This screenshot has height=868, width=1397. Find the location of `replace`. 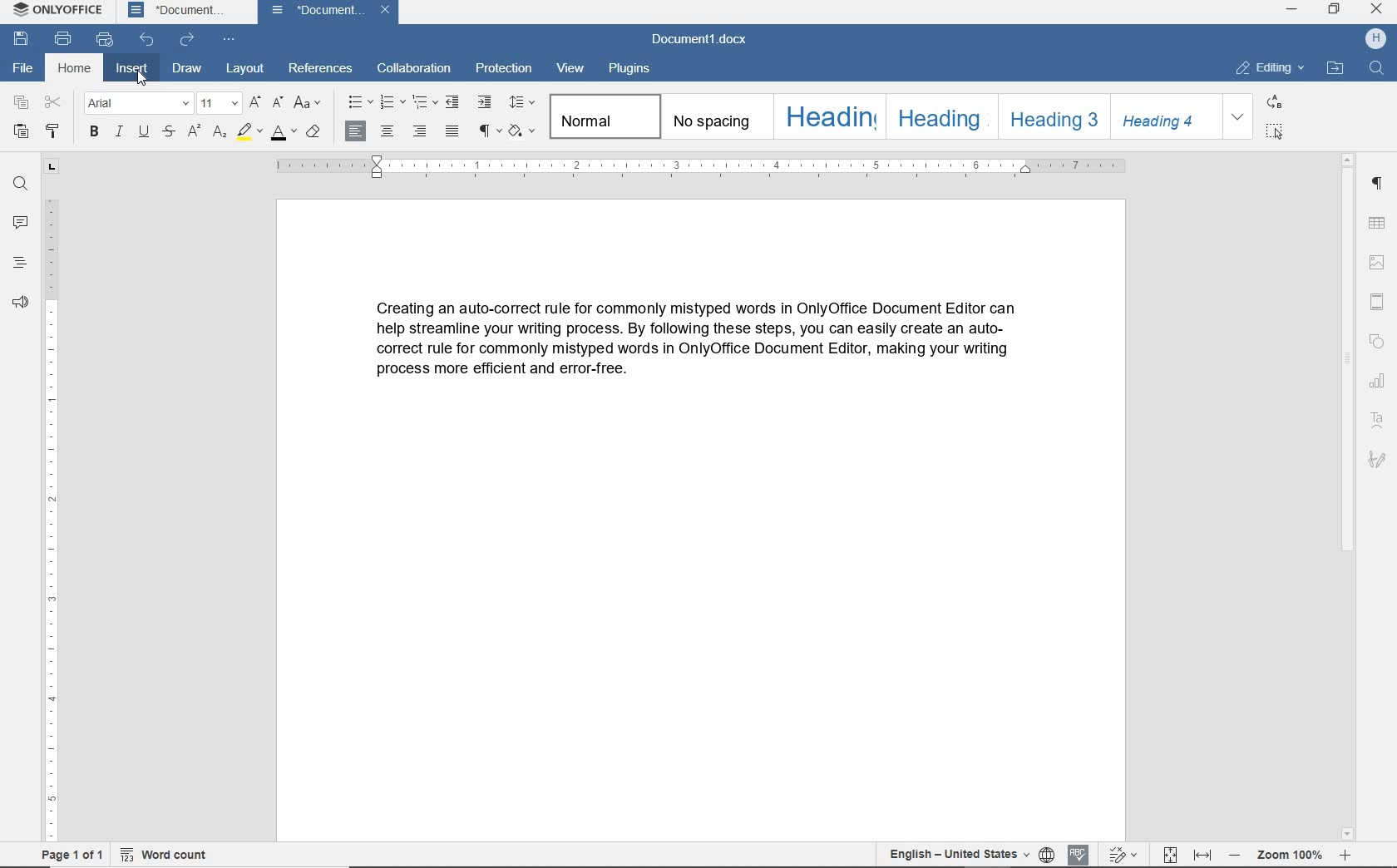

replace is located at coordinates (1274, 103).